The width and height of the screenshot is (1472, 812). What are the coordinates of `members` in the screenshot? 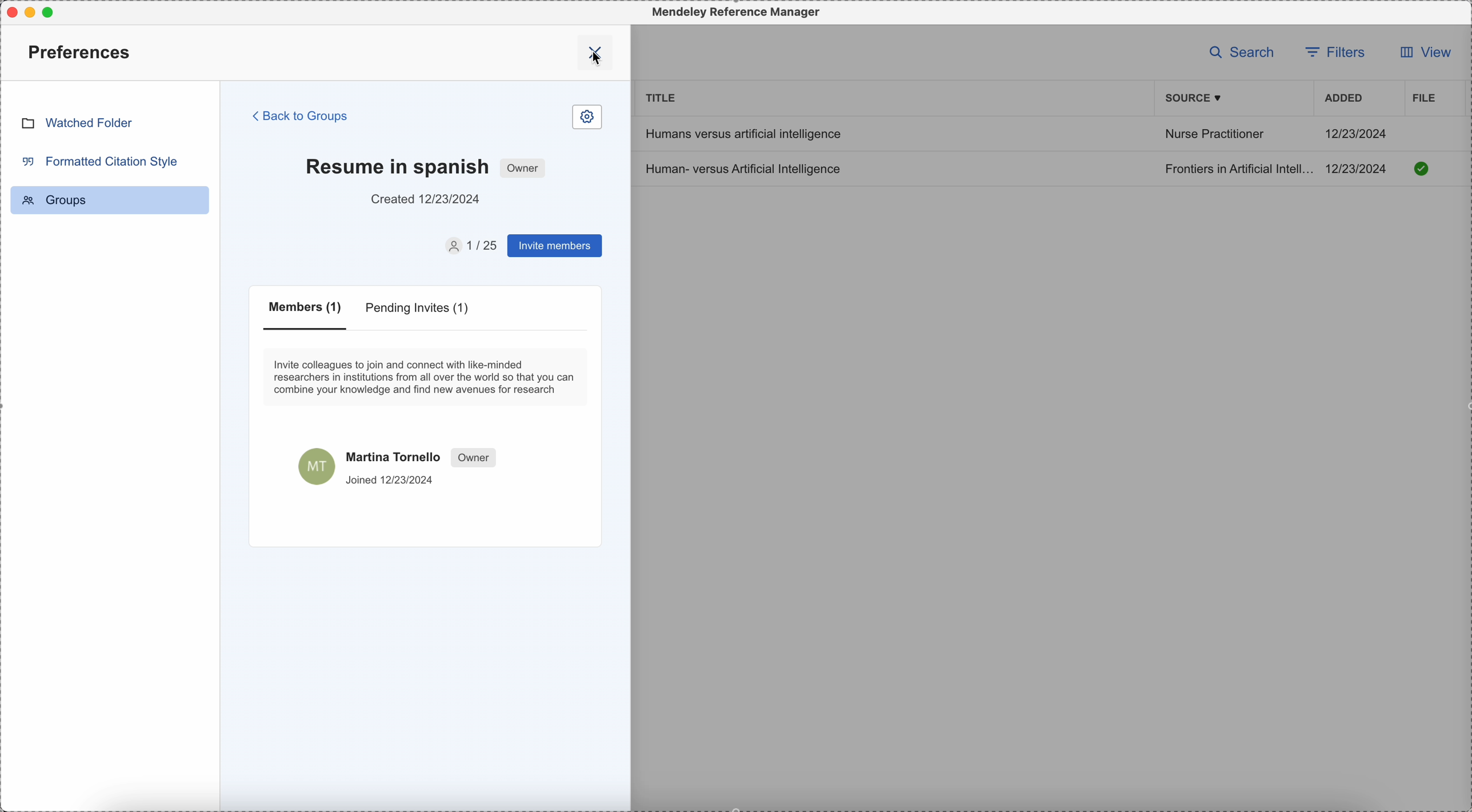 It's located at (469, 246).